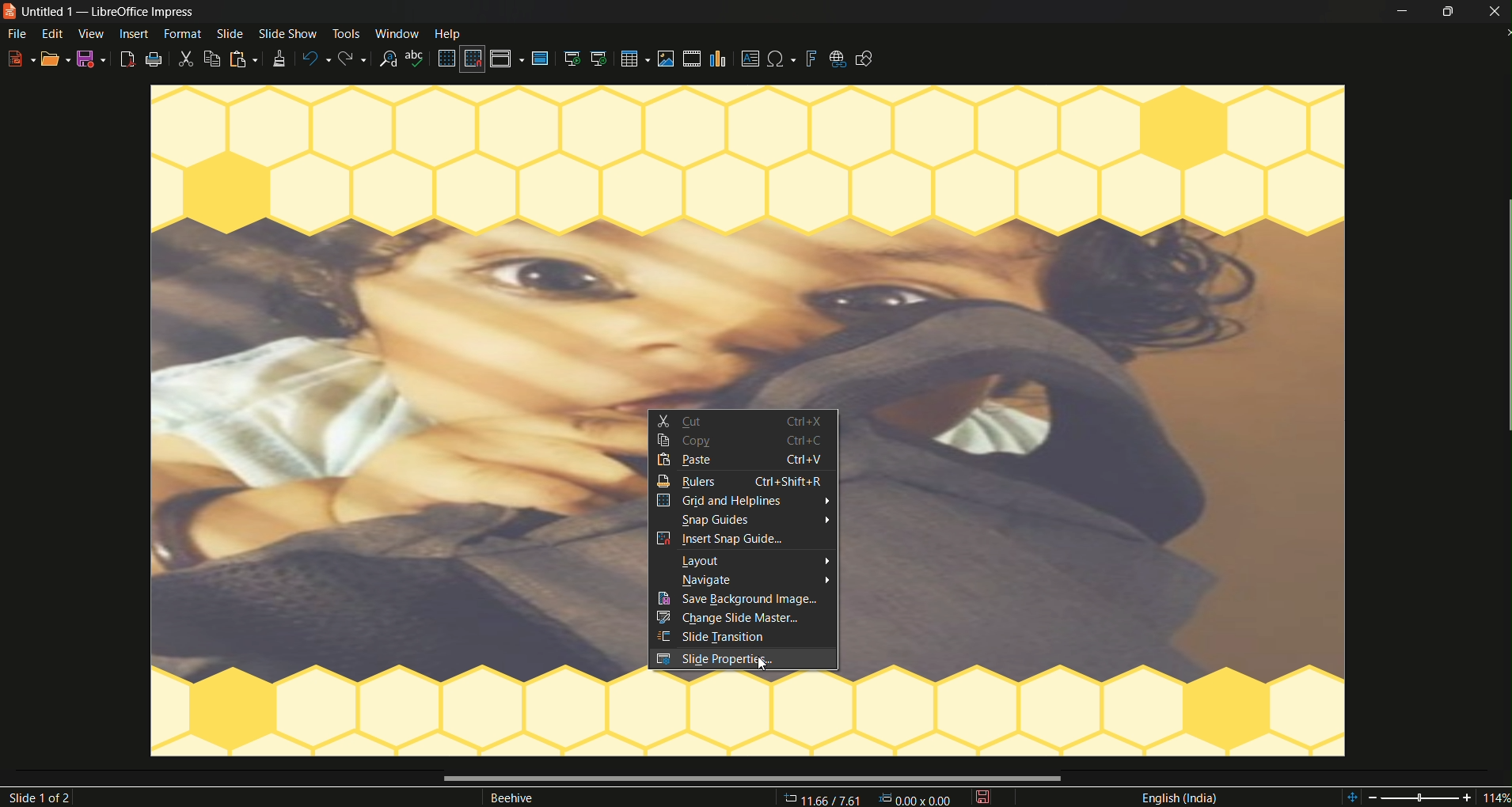 This screenshot has width=1512, height=807. I want to click on arrow, so click(828, 561).